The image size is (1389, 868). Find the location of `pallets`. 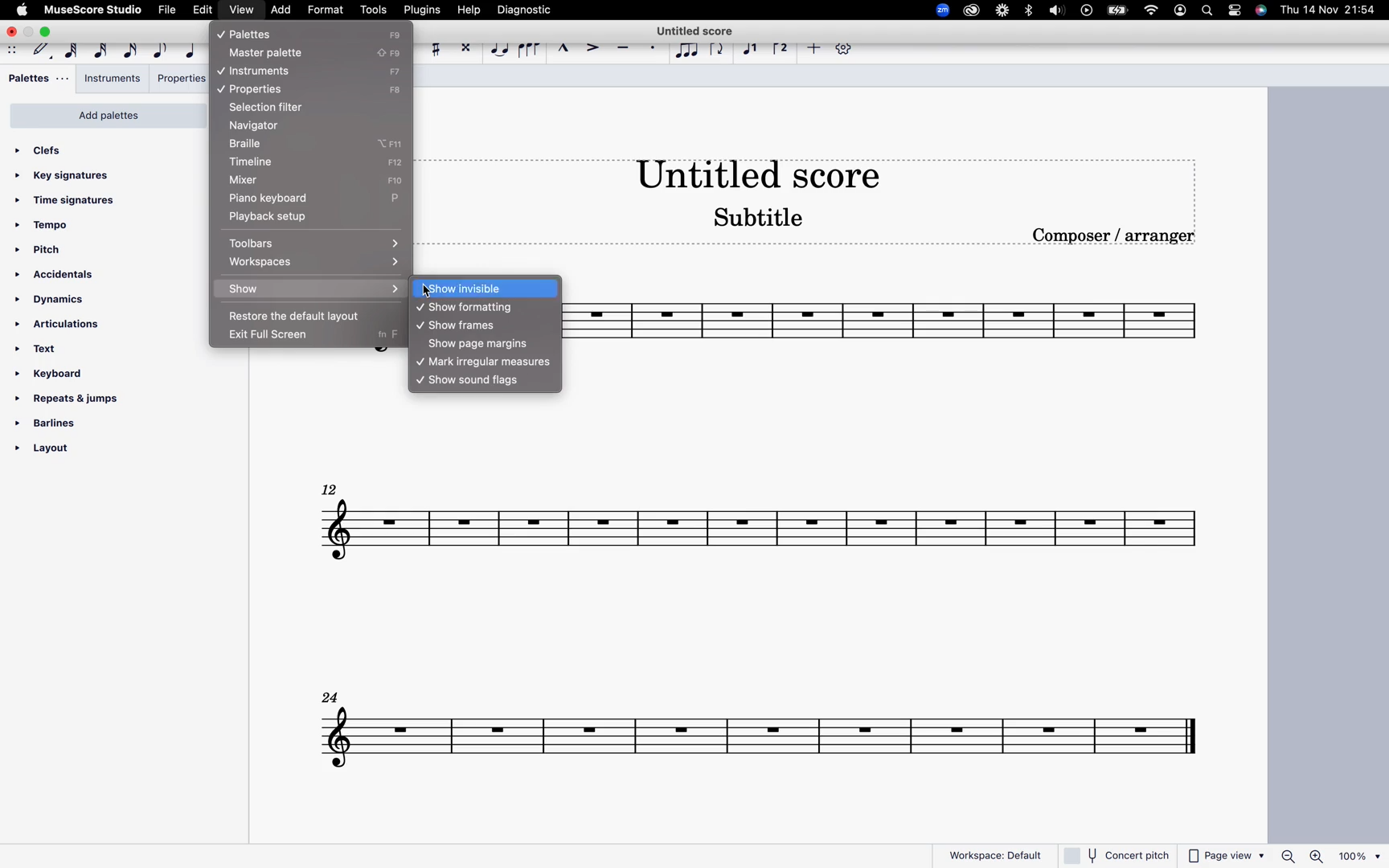

pallets is located at coordinates (38, 78).